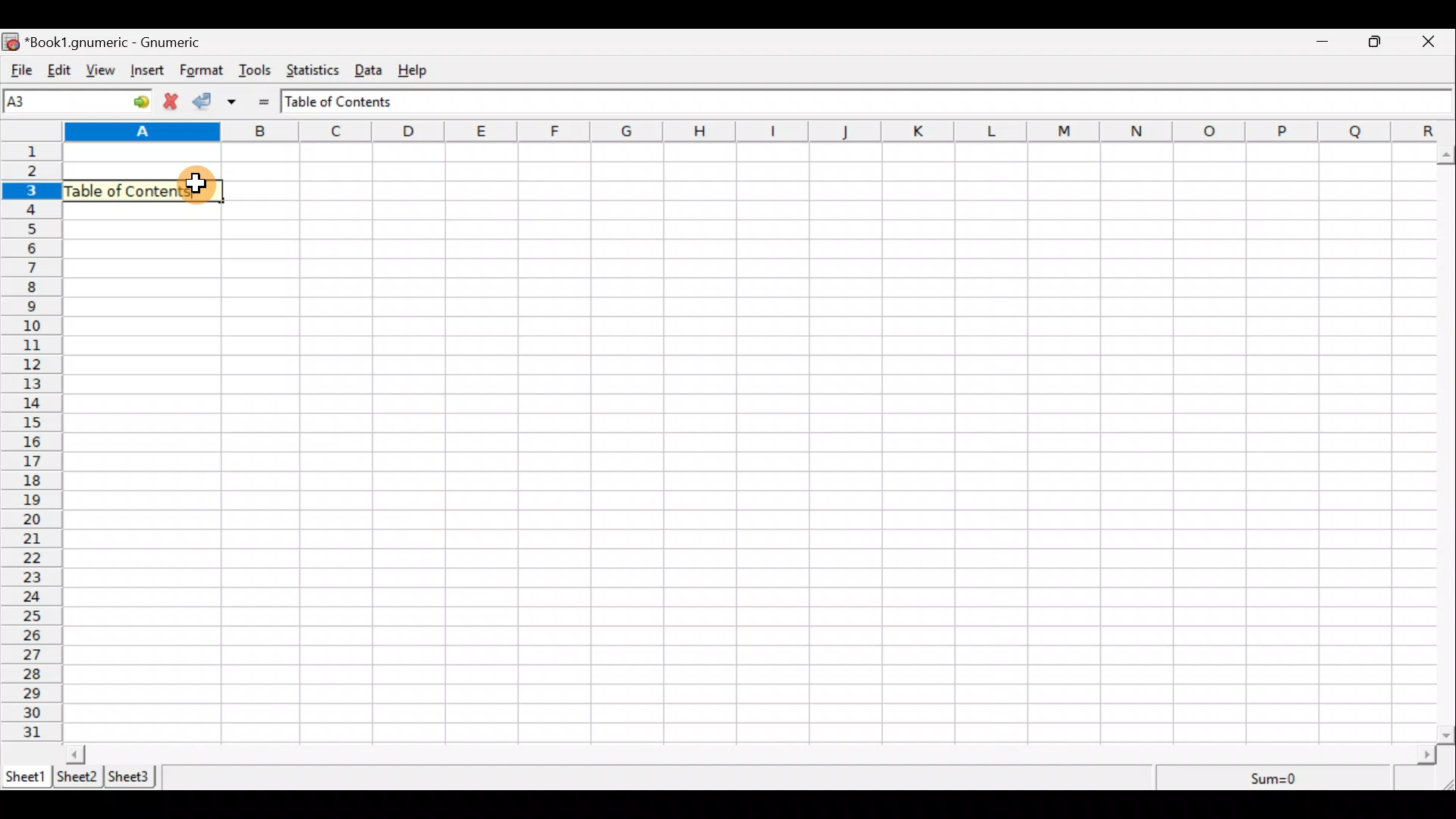  Describe the element at coordinates (78, 776) in the screenshot. I see `Sheet 2` at that location.